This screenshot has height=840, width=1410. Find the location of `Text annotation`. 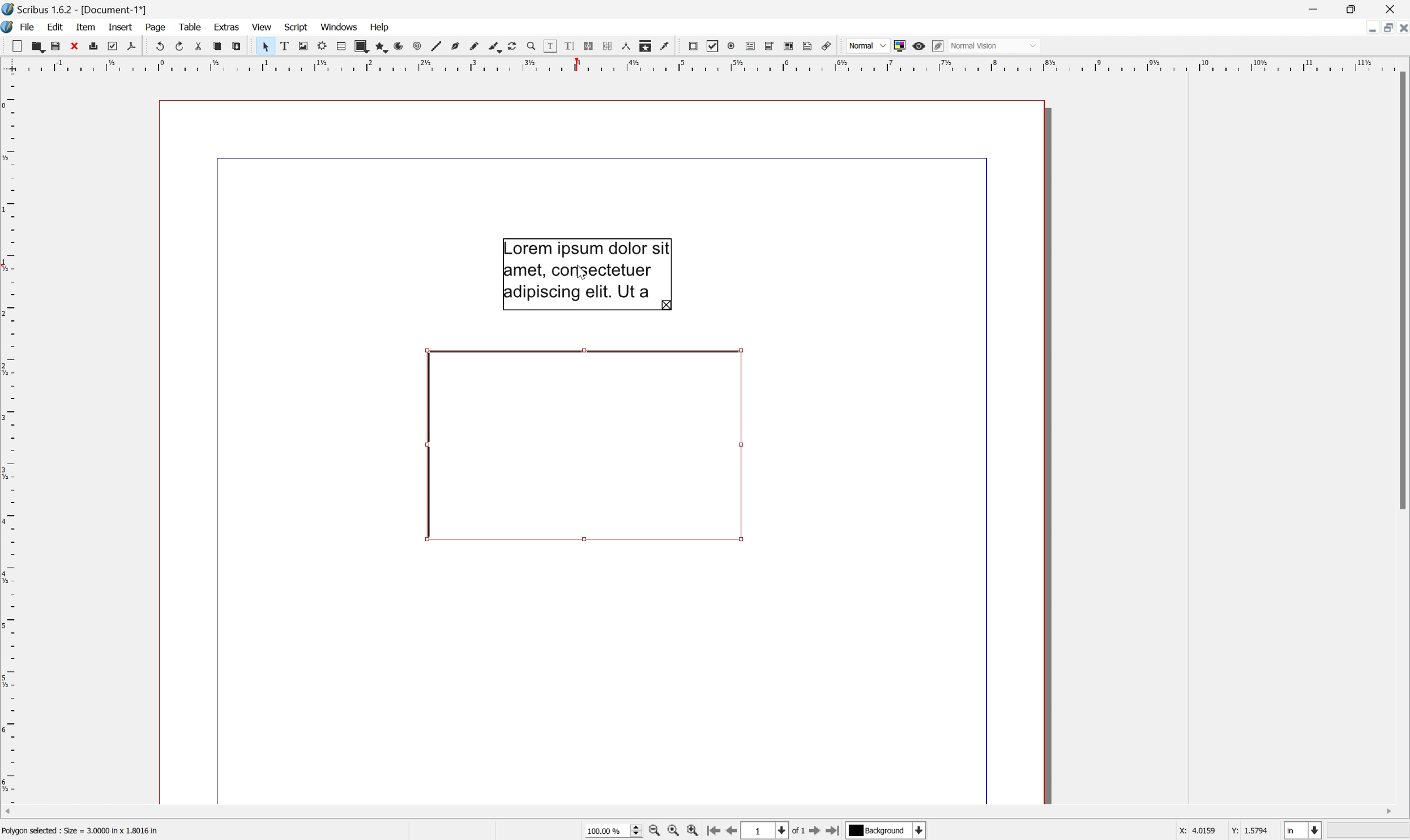

Text annotation is located at coordinates (810, 46).